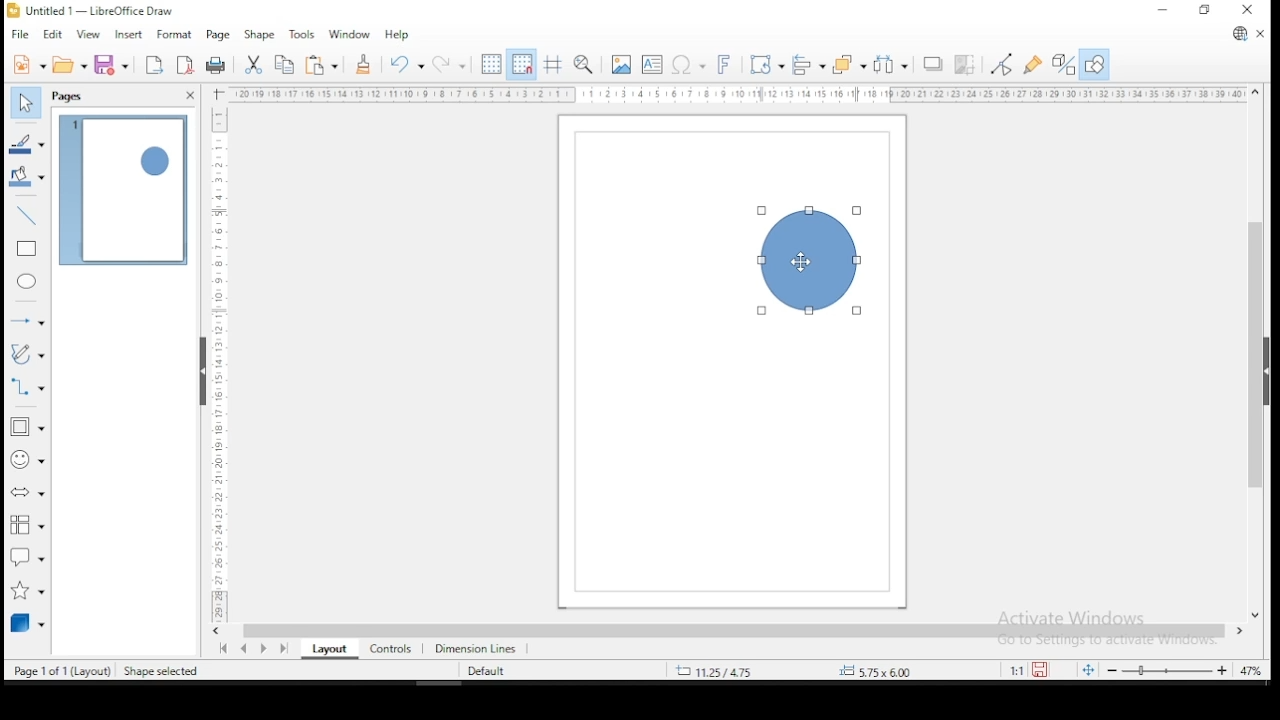  Describe the element at coordinates (28, 145) in the screenshot. I see `line color` at that location.